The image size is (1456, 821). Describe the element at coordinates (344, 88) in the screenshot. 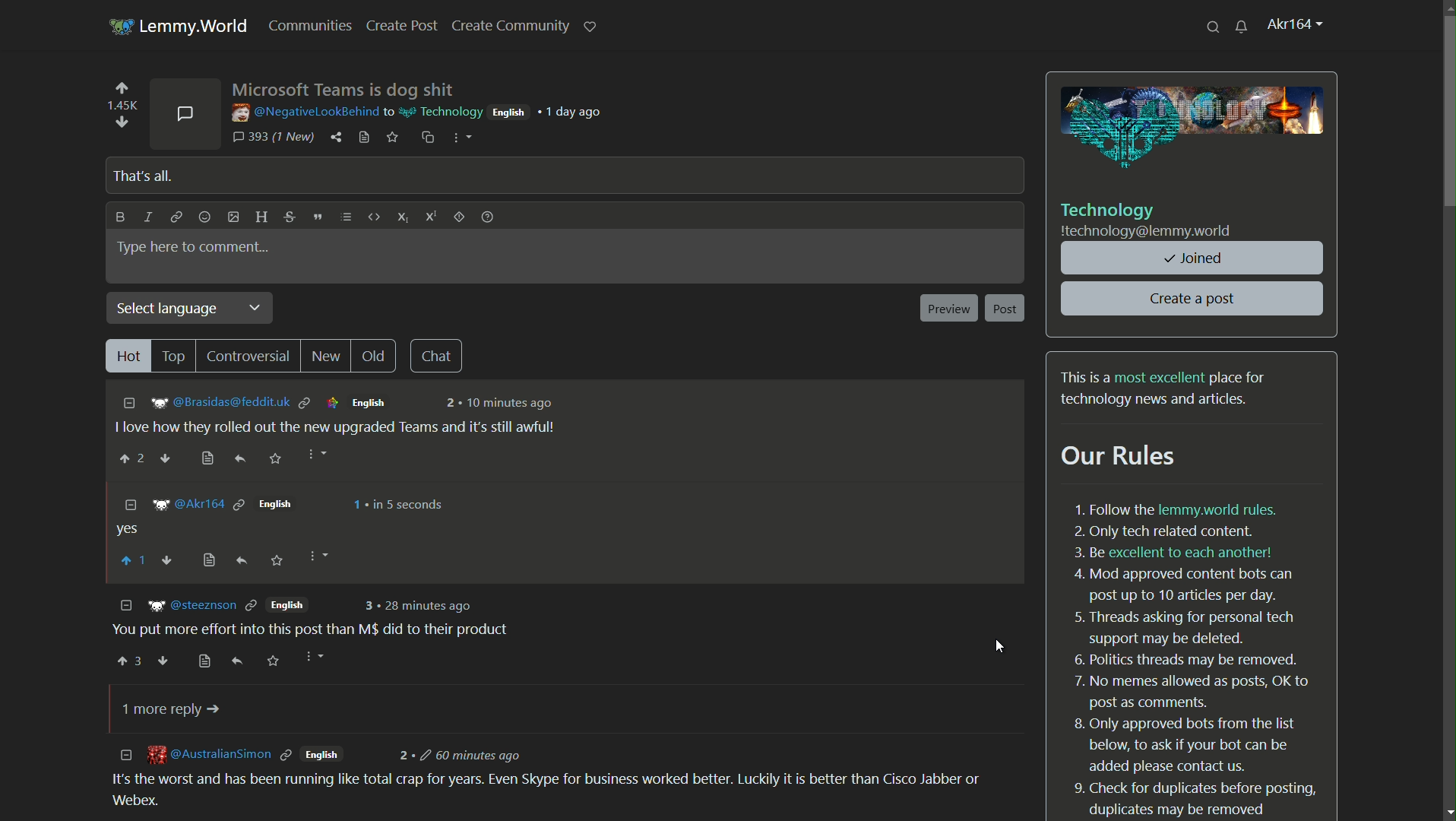

I see `post name` at that location.